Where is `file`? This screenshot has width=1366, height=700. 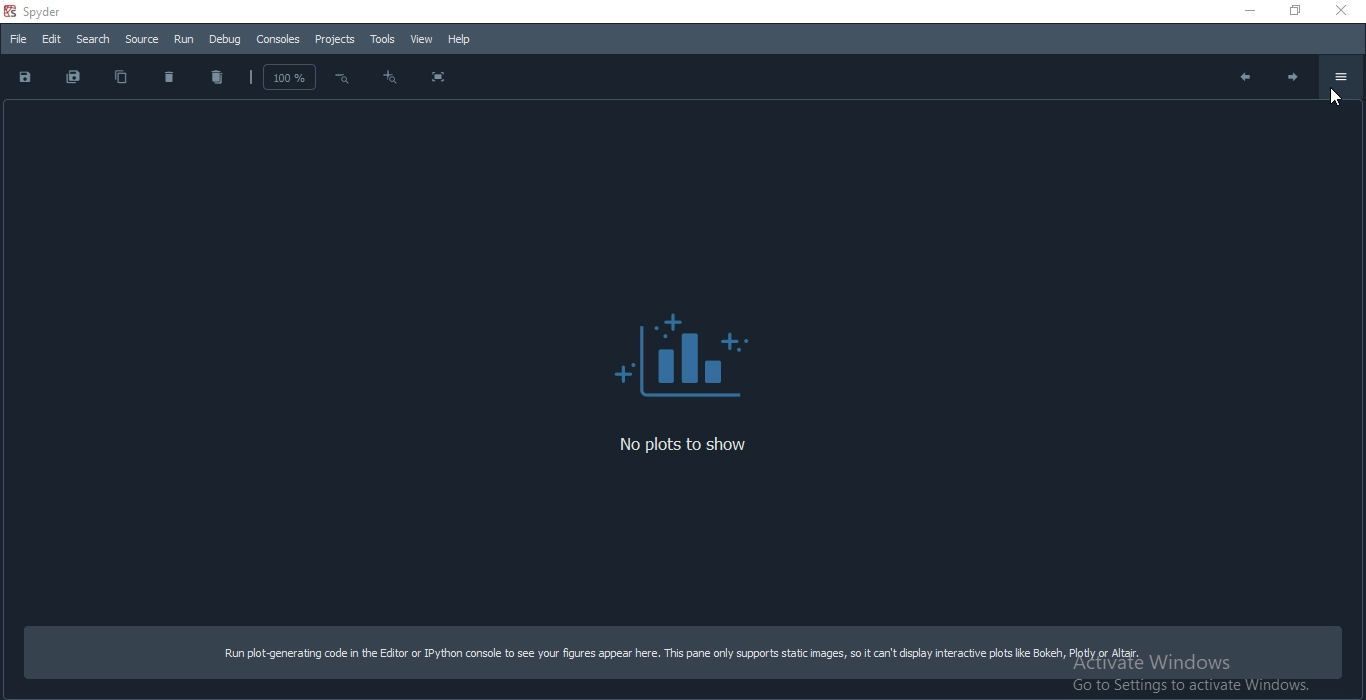
file is located at coordinates (17, 41).